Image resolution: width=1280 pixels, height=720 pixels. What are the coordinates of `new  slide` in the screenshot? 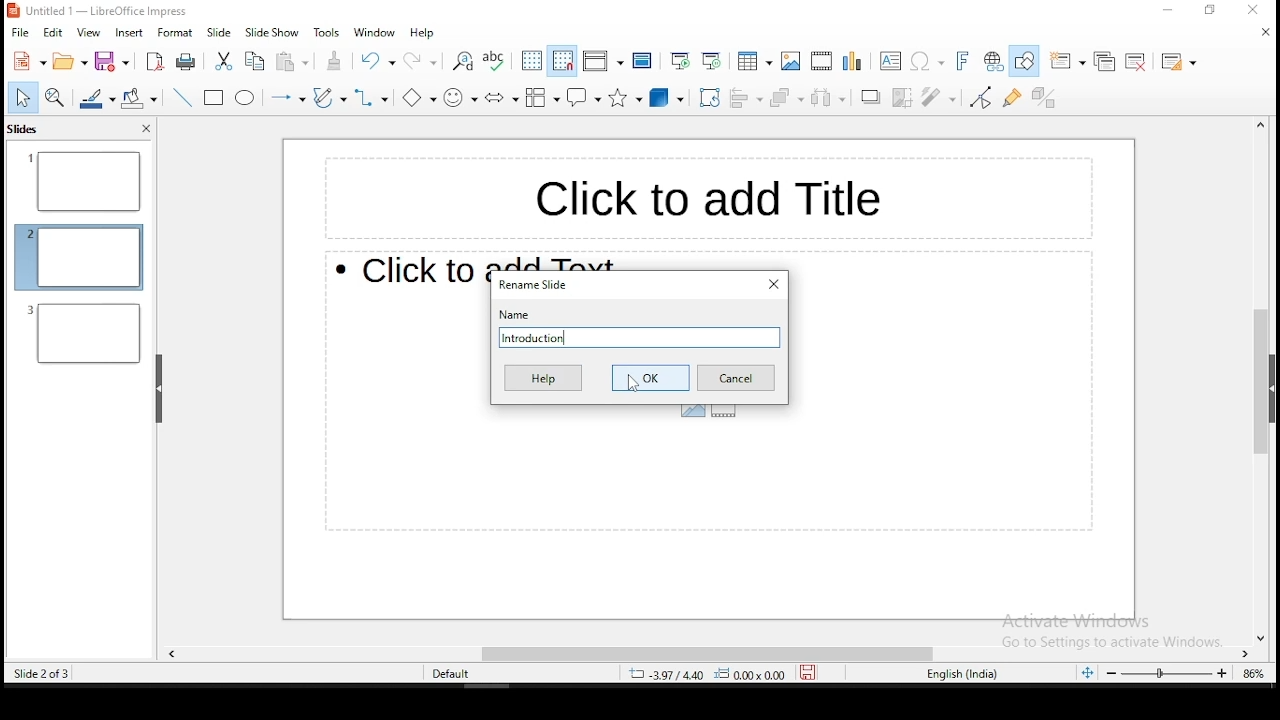 It's located at (1065, 62).